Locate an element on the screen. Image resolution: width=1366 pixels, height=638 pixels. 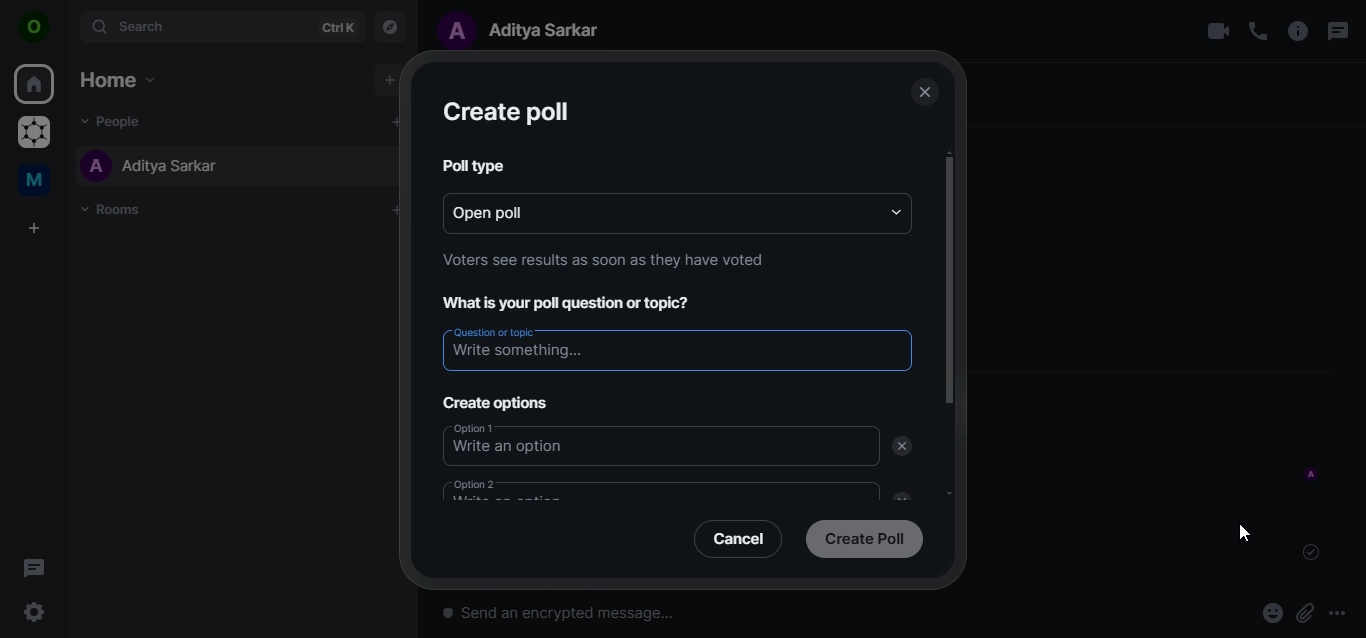
people is located at coordinates (118, 120).